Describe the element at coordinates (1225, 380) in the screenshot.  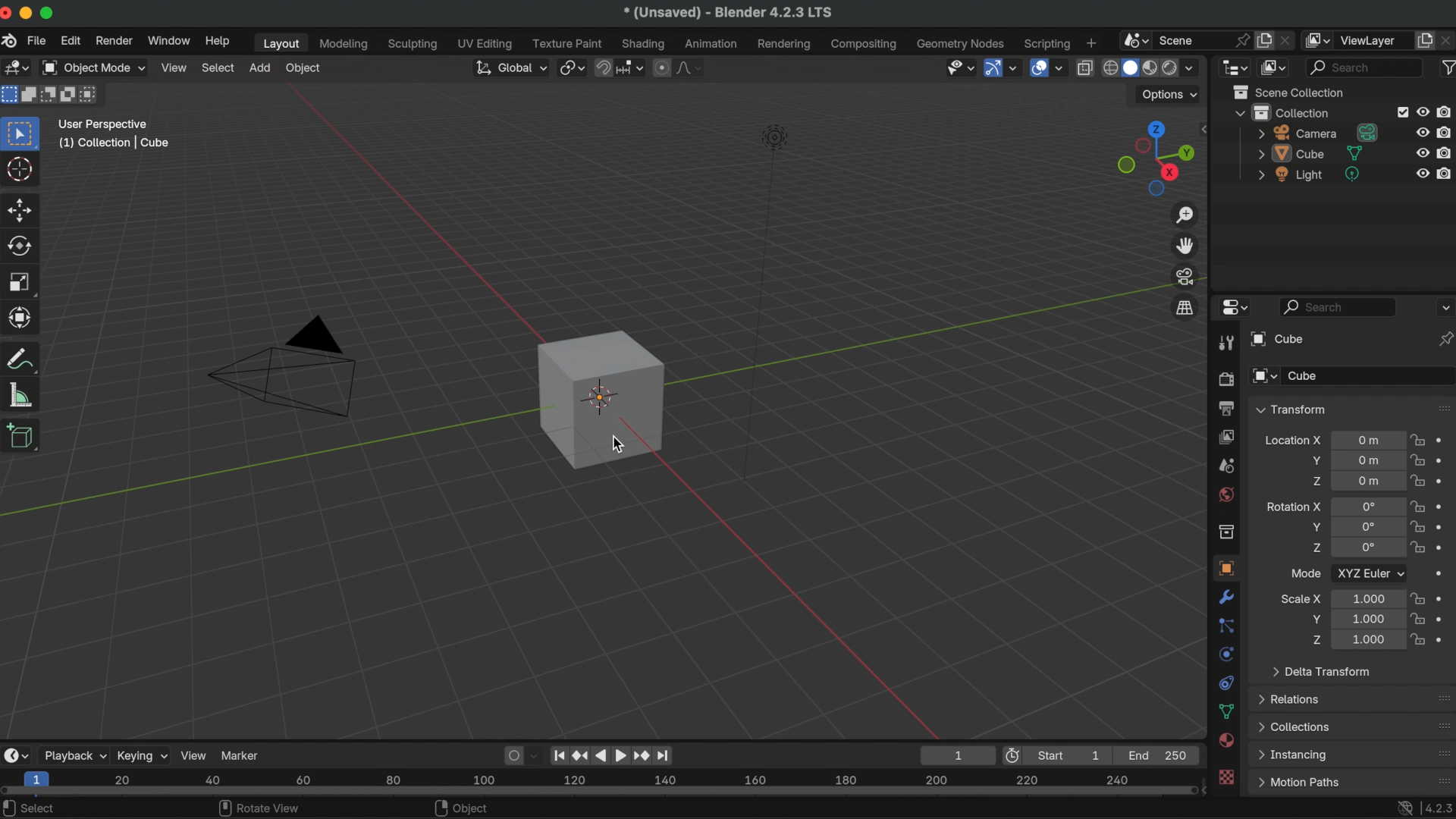
I see `render` at that location.